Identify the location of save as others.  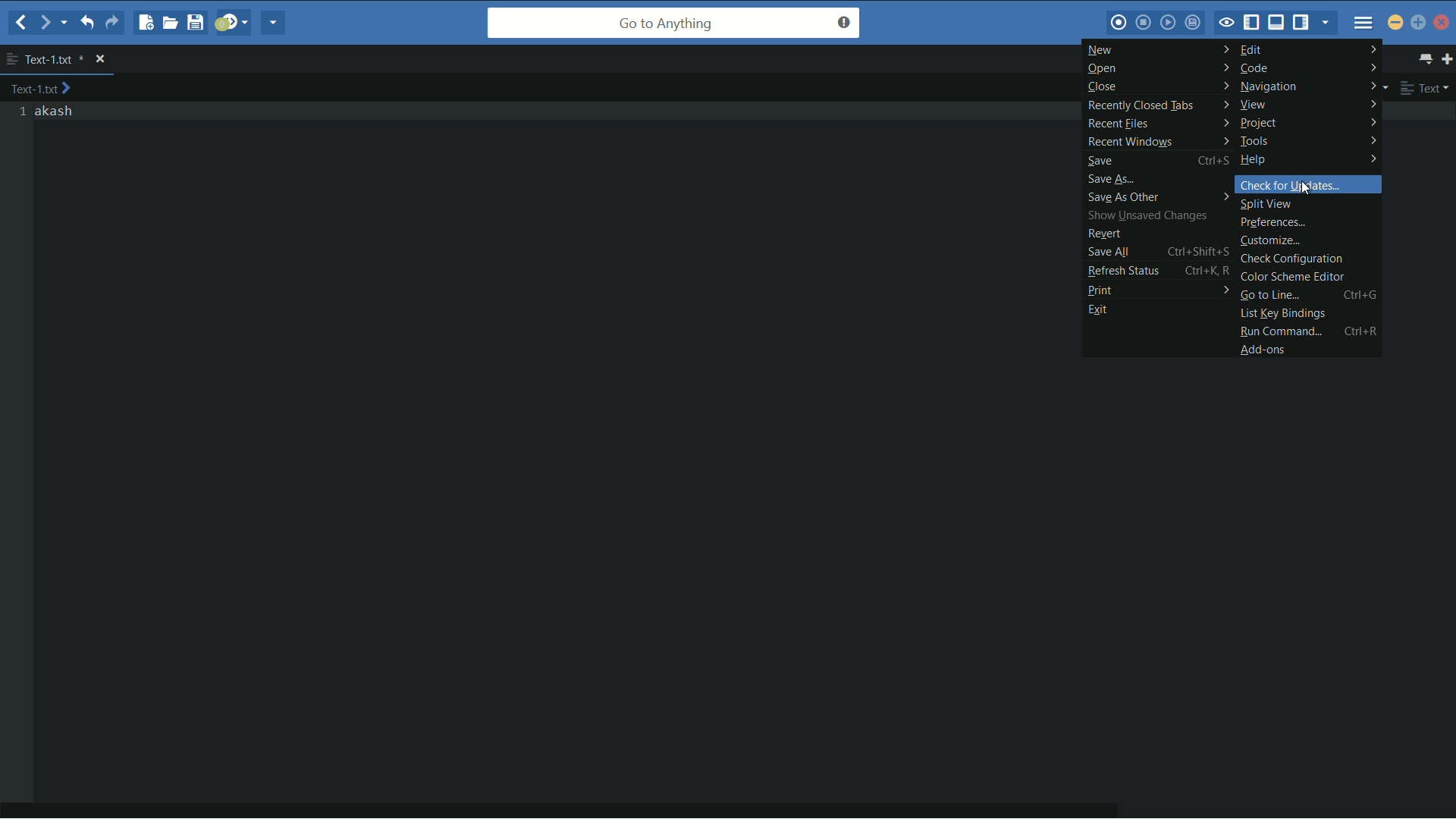
(1156, 196).